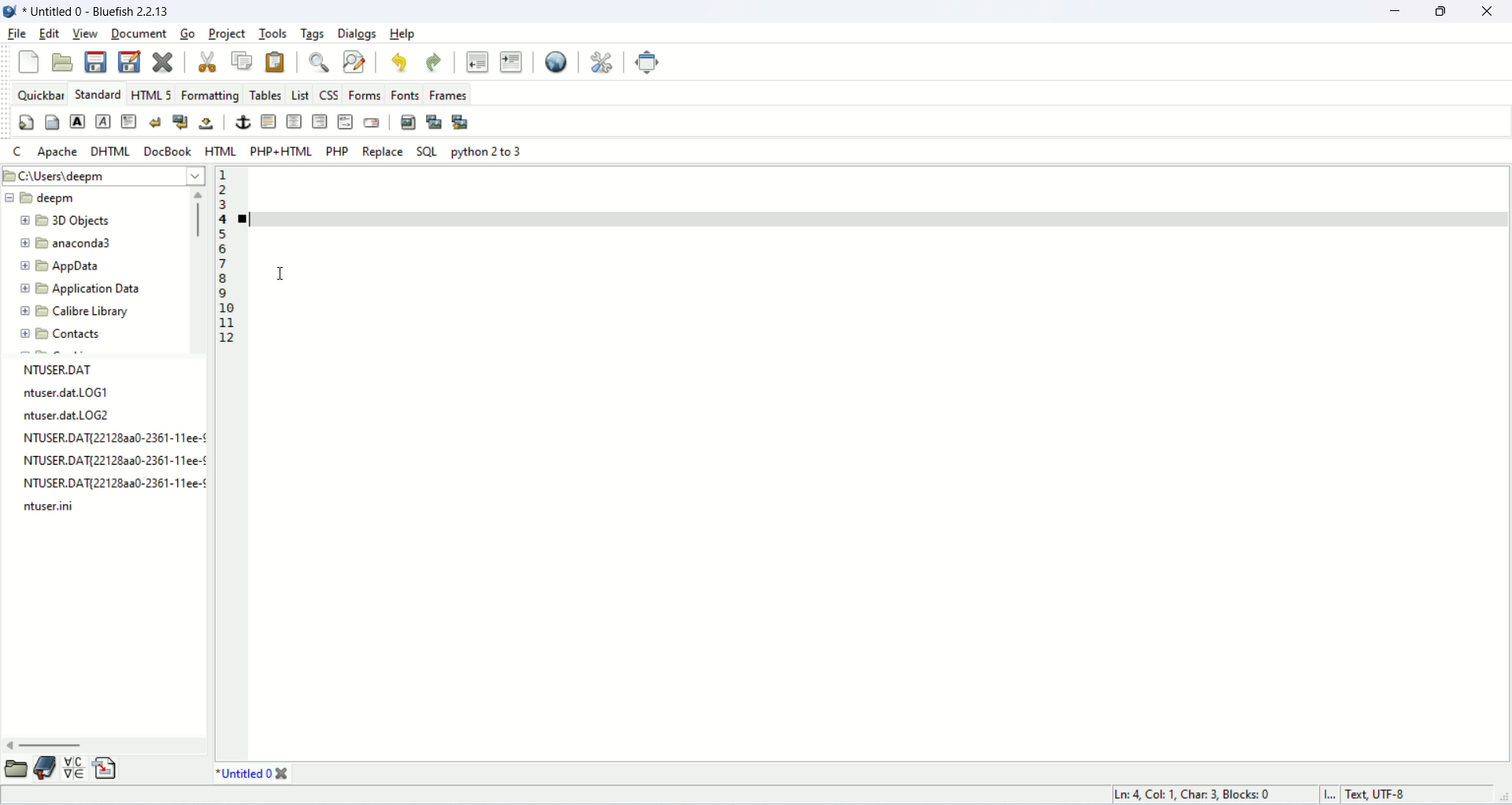 The width and height of the screenshot is (1512, 805). I want to click on character encoding, so click(1407, 796).